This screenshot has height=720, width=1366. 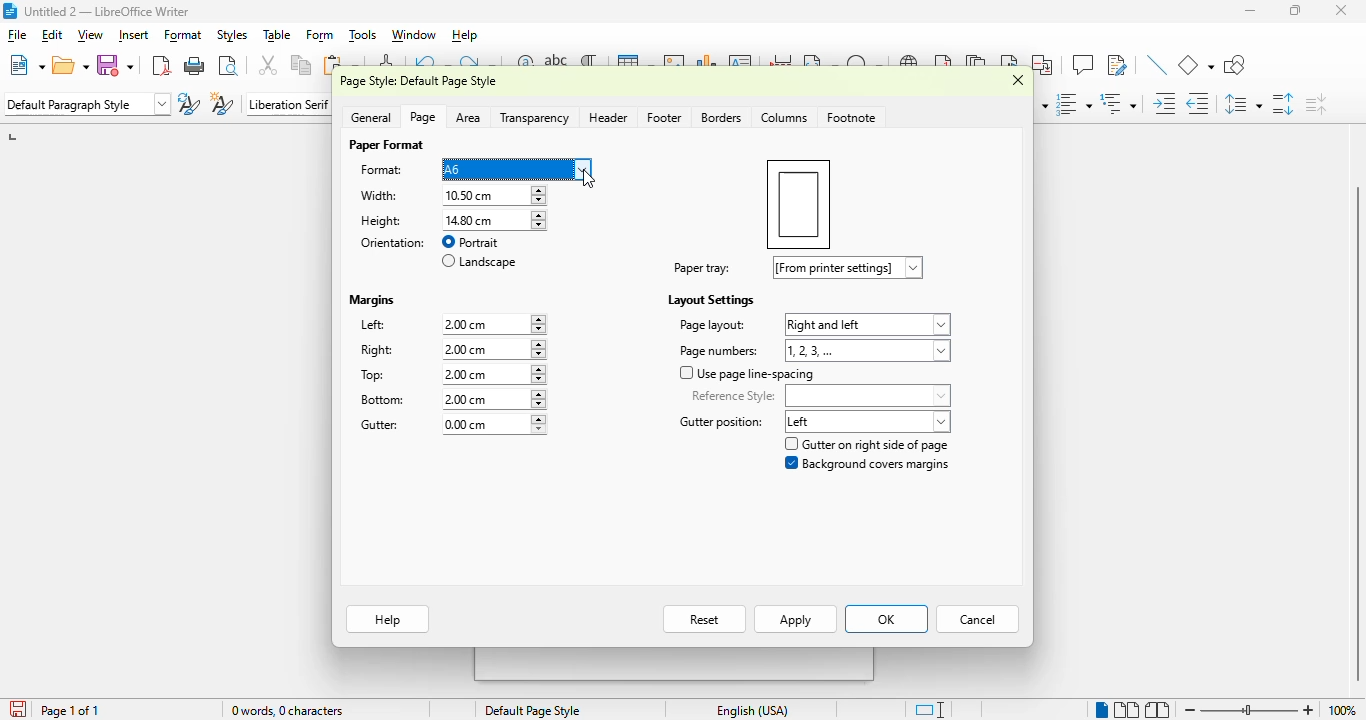 I want to click on title, so click(x=107, y=11).